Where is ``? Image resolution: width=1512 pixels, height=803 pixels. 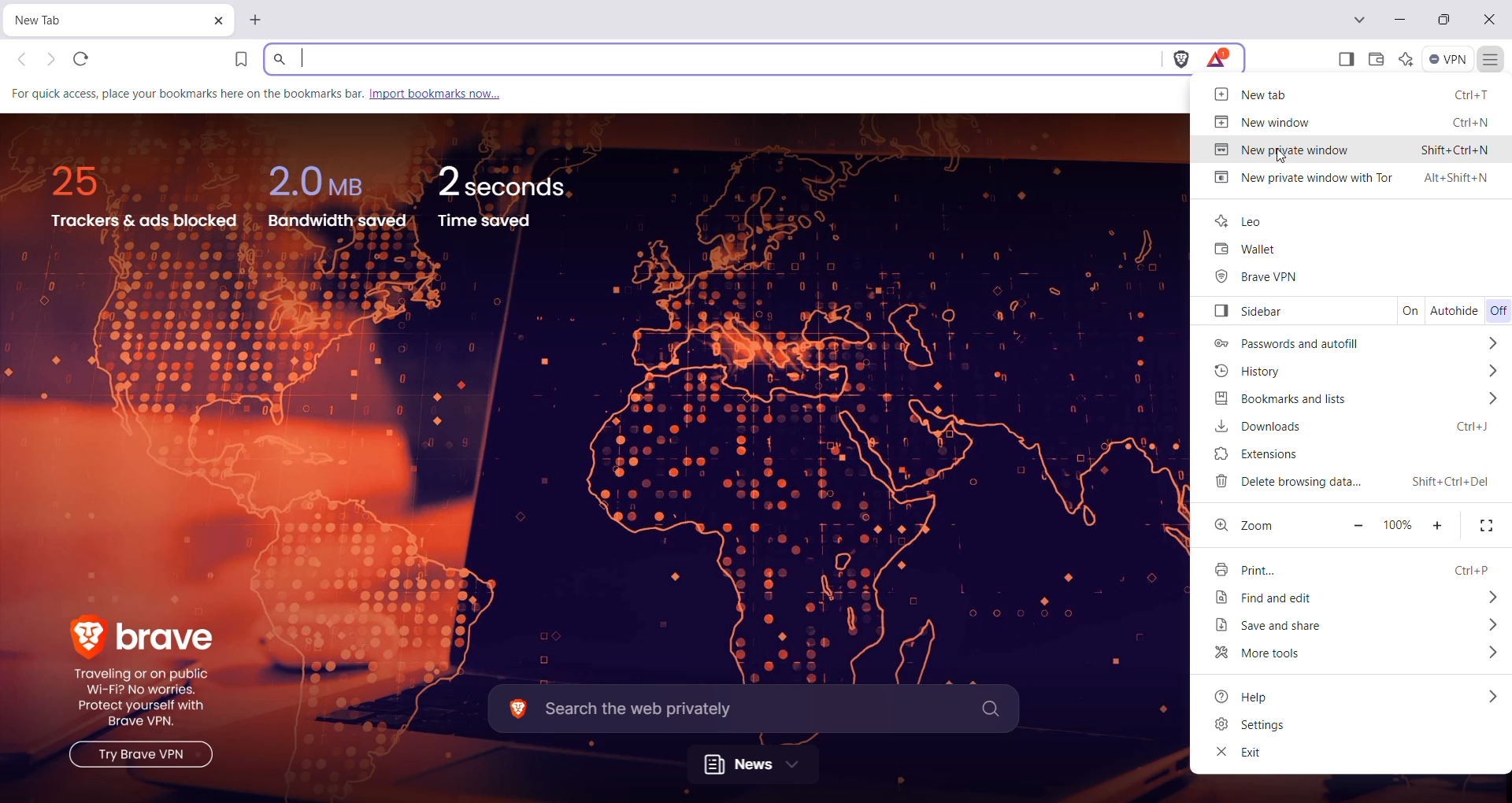  is located at coordinates (1250, 312).